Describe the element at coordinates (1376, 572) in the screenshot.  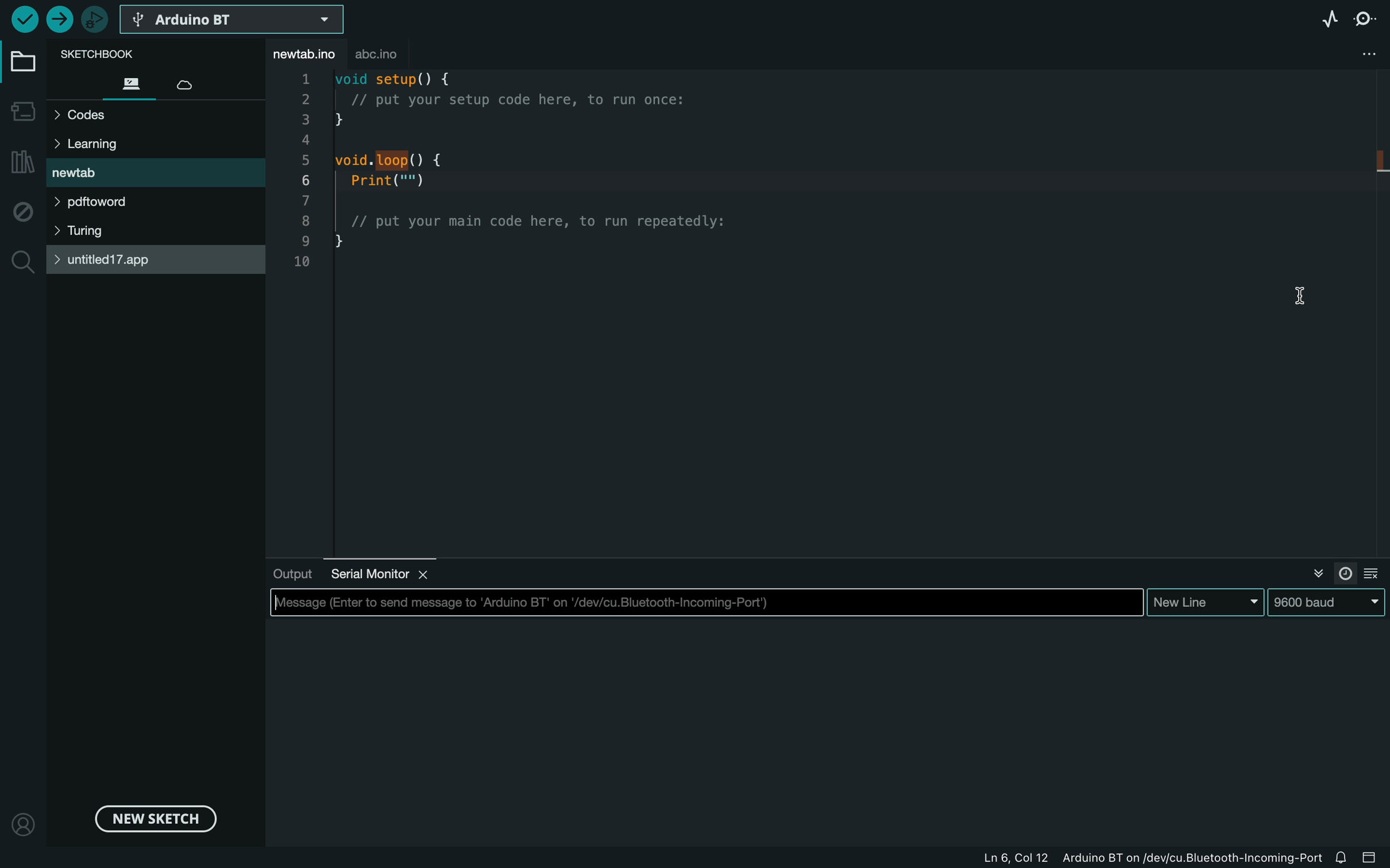
I see `clear` at that location.